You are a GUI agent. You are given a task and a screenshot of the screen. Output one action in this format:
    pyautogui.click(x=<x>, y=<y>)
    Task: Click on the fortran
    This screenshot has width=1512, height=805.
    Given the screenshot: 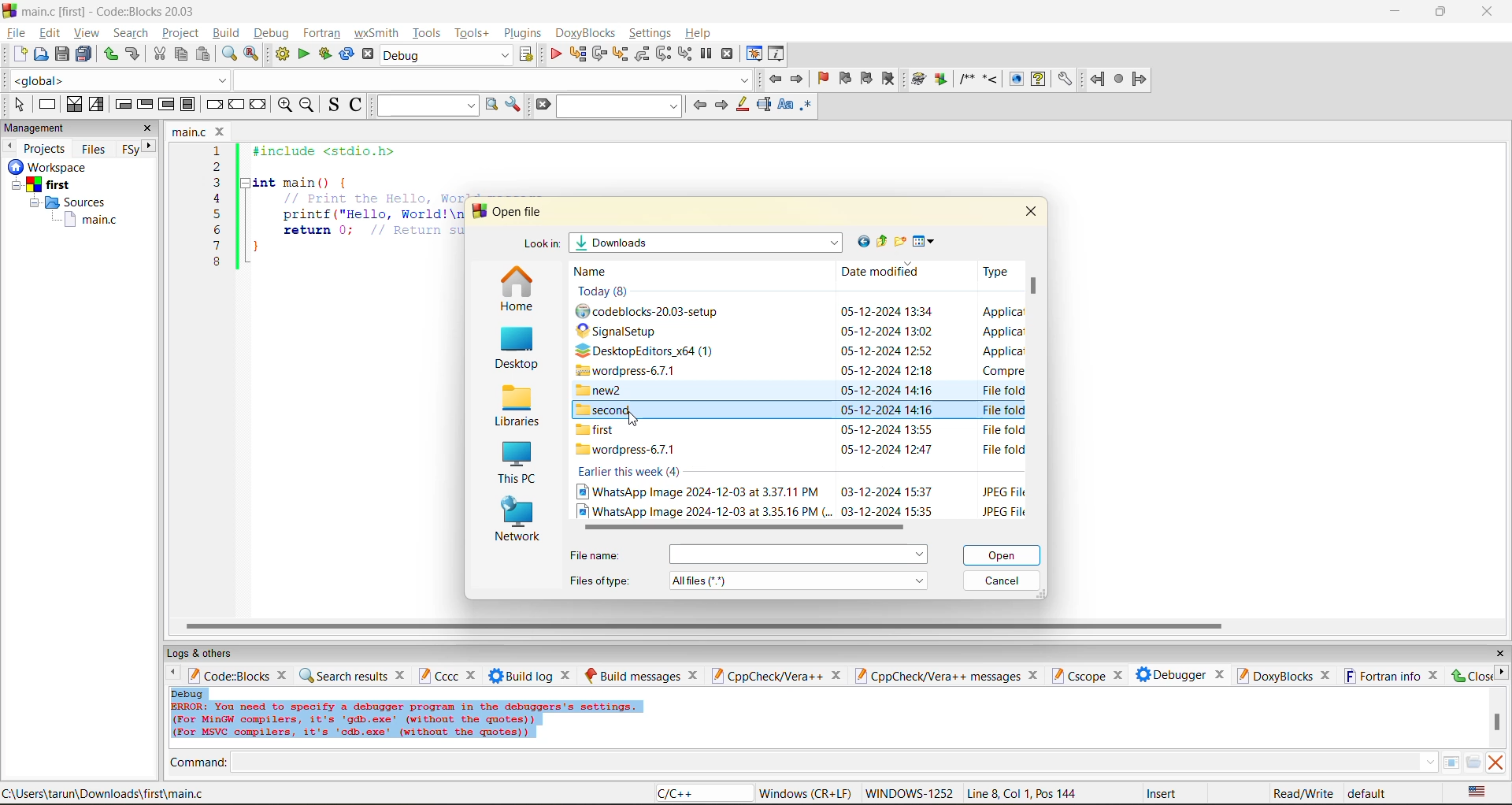 What is the action you would take?
    pyautogui.click(x=322, y=33)
    